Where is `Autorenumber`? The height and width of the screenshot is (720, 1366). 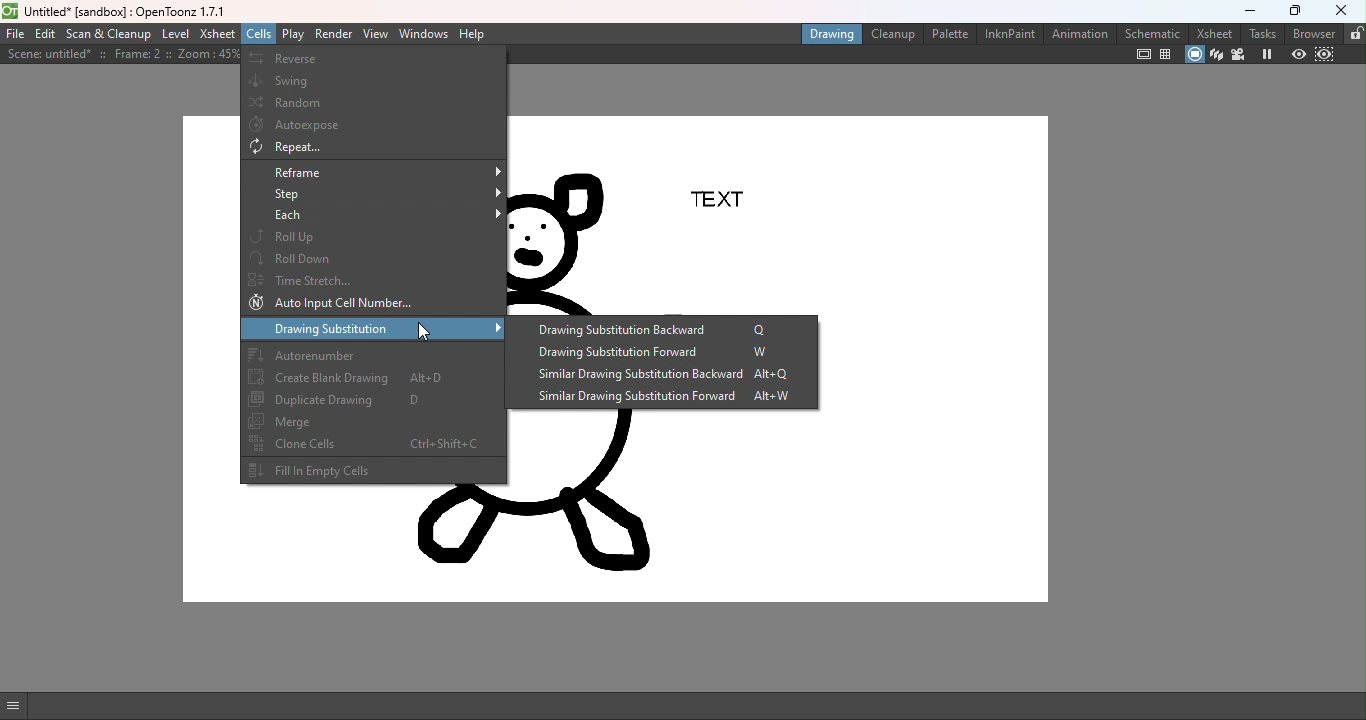
Autorenumber is located at coordinates (374, 355).